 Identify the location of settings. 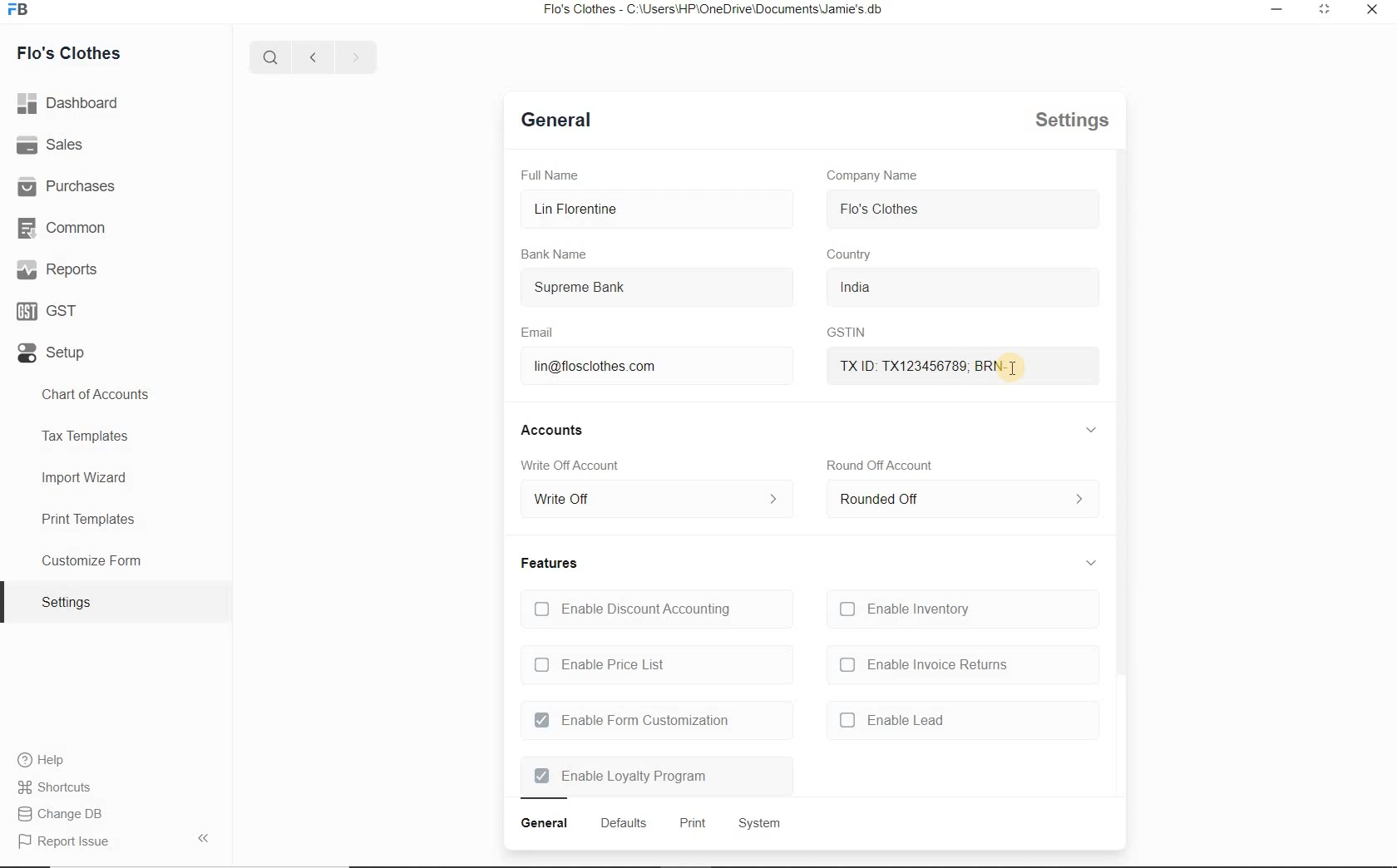
(67, 601).